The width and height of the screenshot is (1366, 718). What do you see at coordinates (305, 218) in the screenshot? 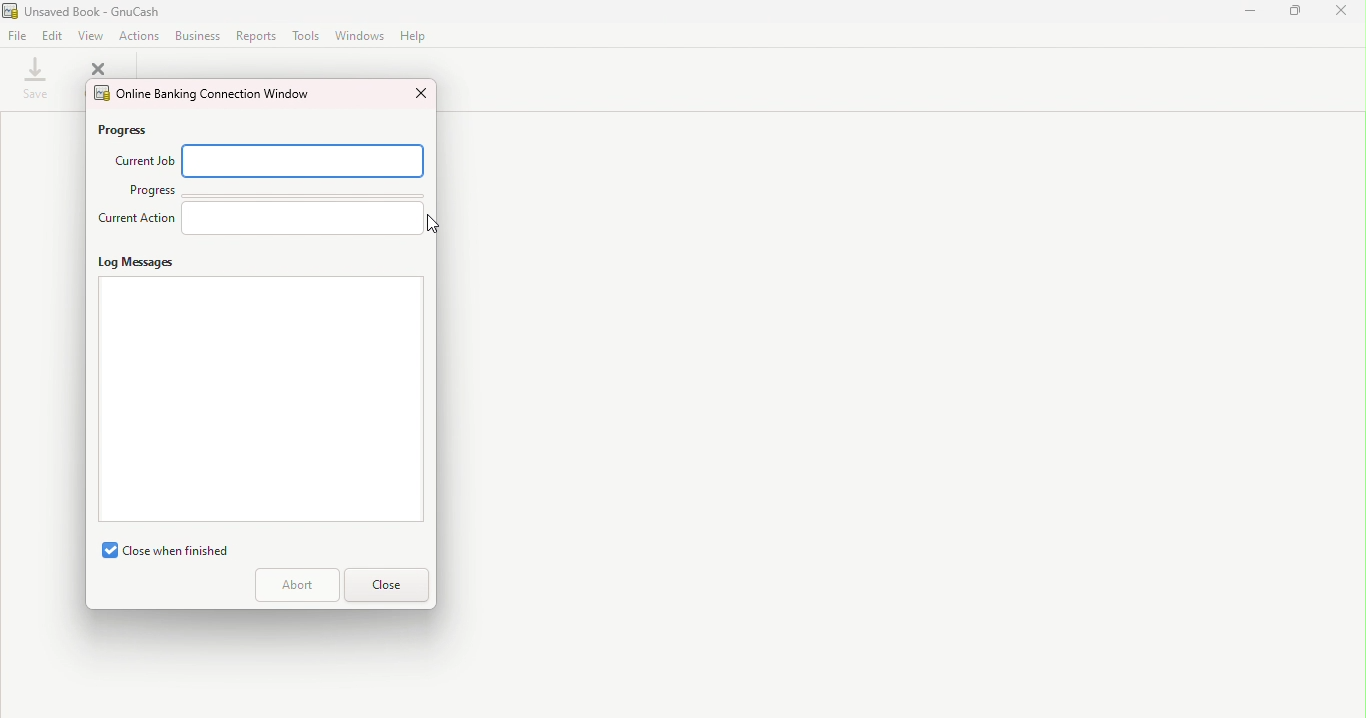
I see `Text box` at bounding box center [305, 218].